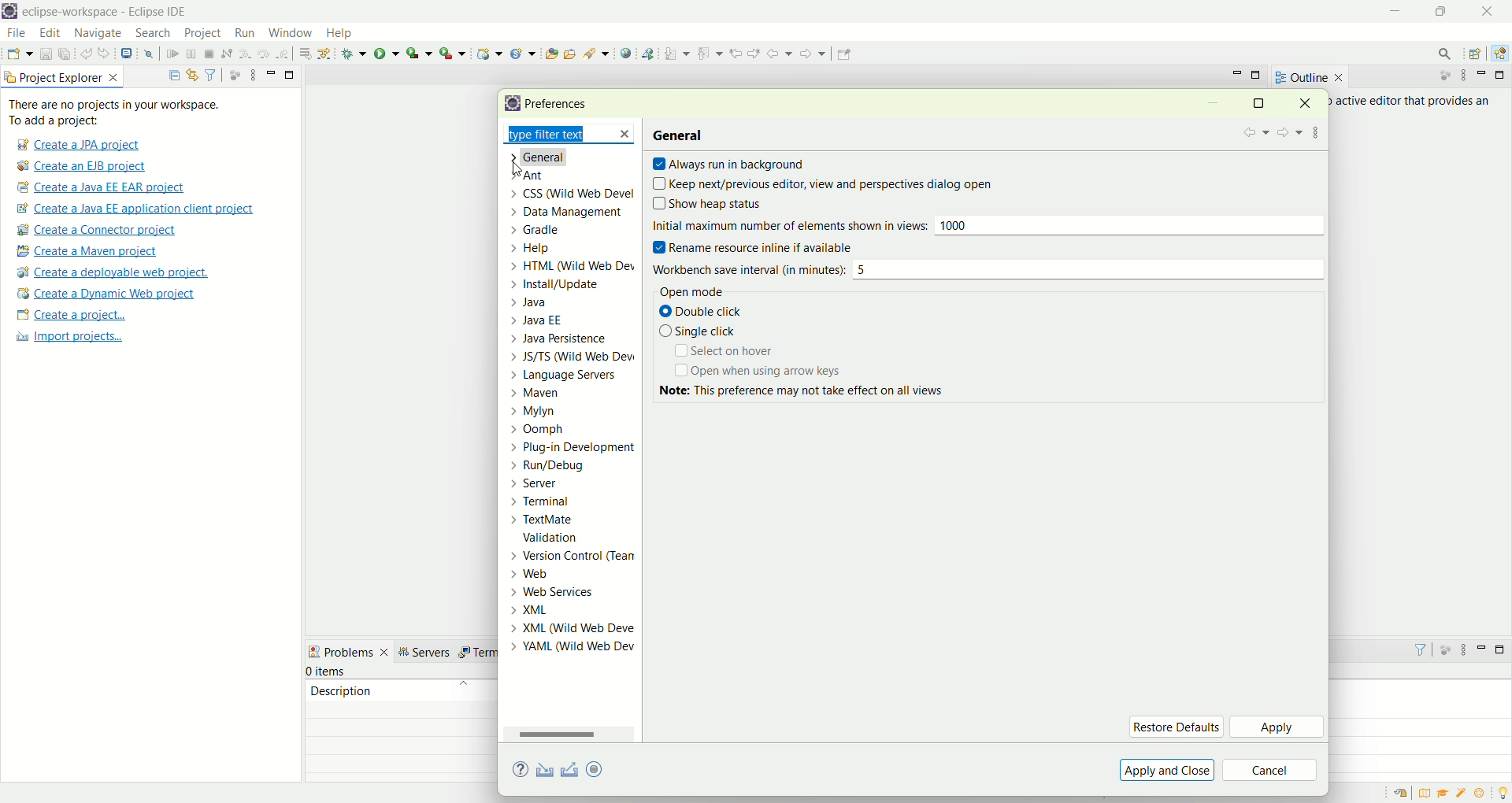  What do you see at coordinates (1404, 794) in the screenshot?
I see `restore welcome` at bounding box center [1404, 794].